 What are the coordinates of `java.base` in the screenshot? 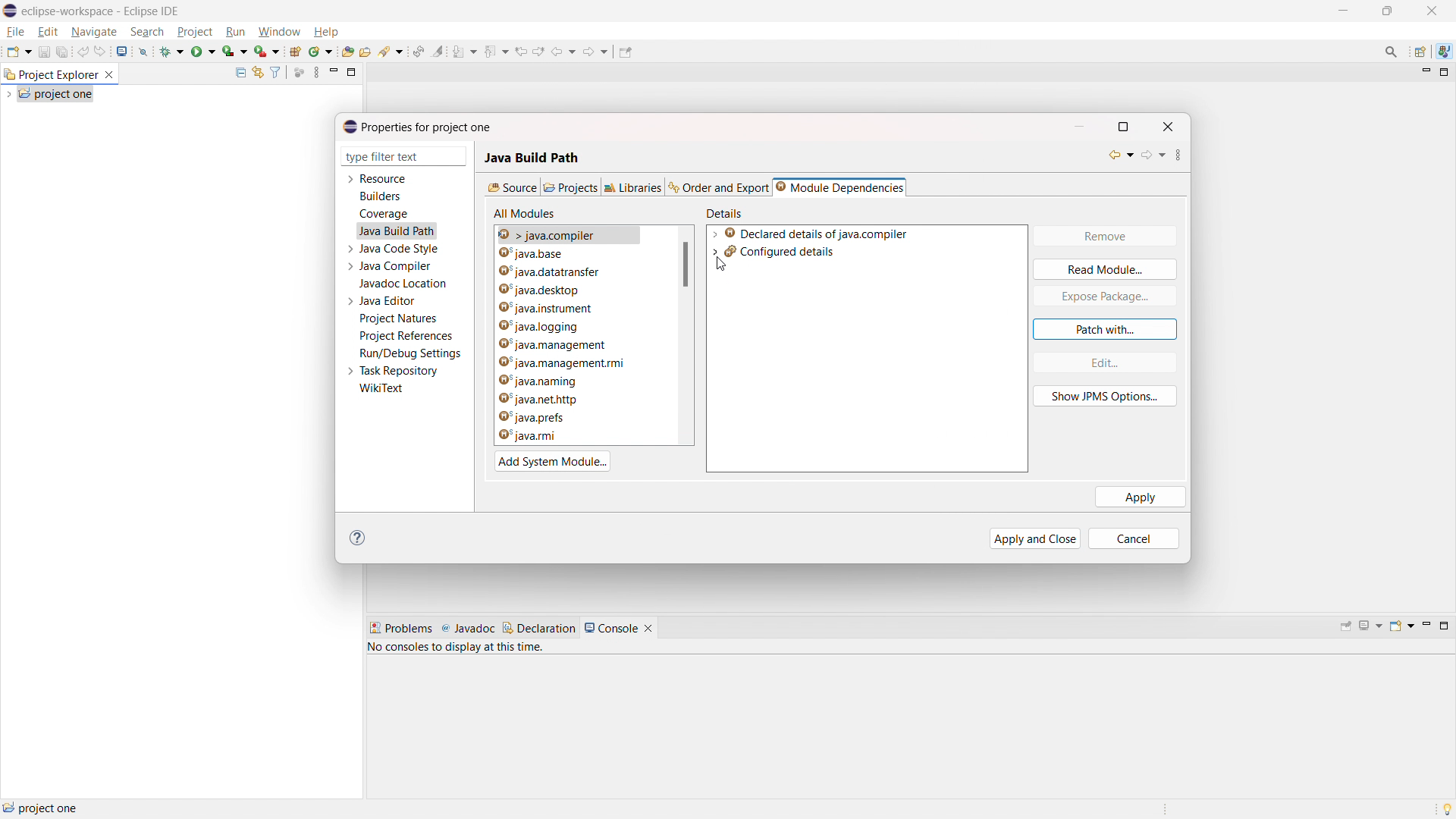 It's located at (585, 234).